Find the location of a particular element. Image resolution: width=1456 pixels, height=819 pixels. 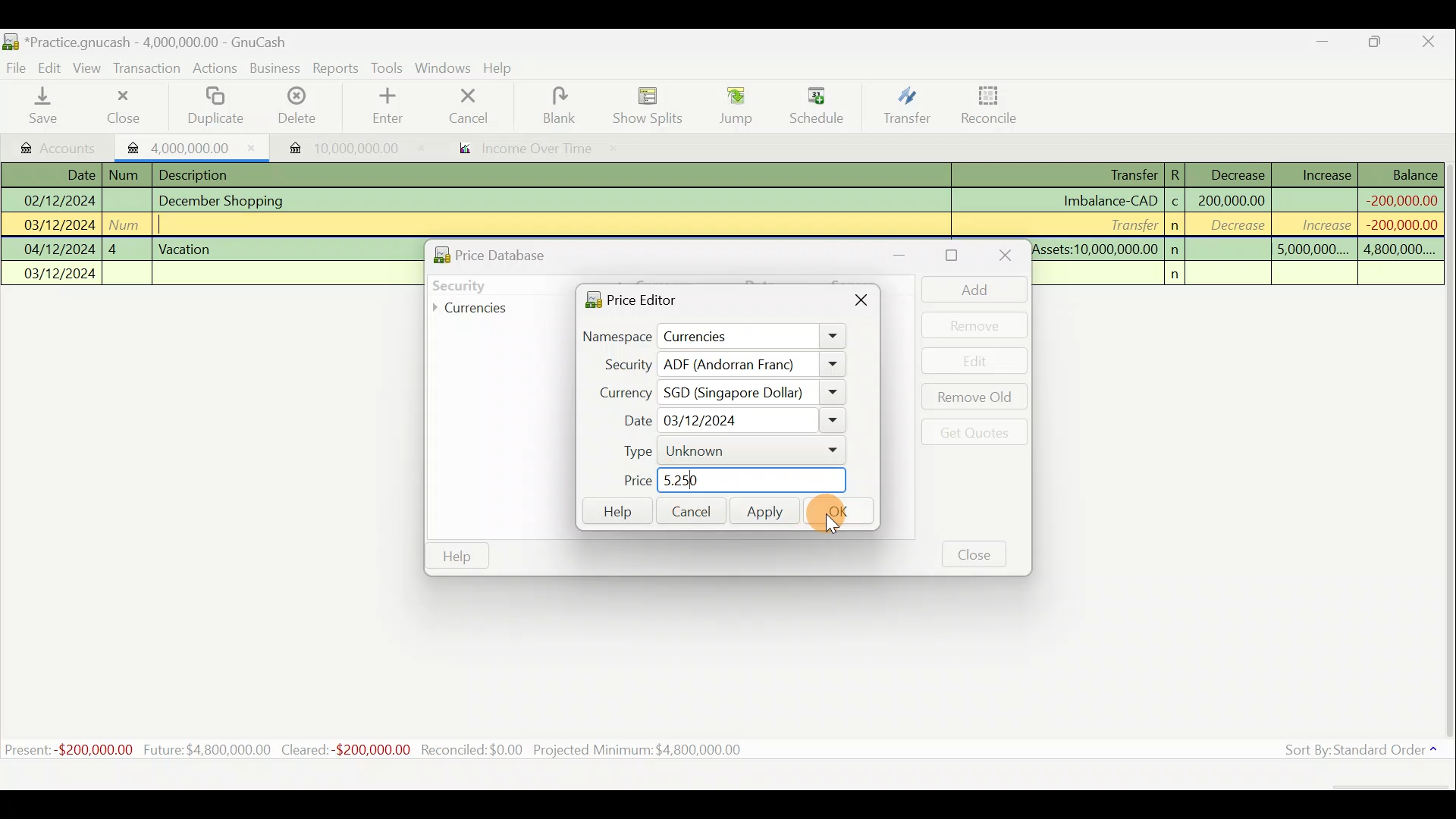

ADF is located at coordinates (752, 365).